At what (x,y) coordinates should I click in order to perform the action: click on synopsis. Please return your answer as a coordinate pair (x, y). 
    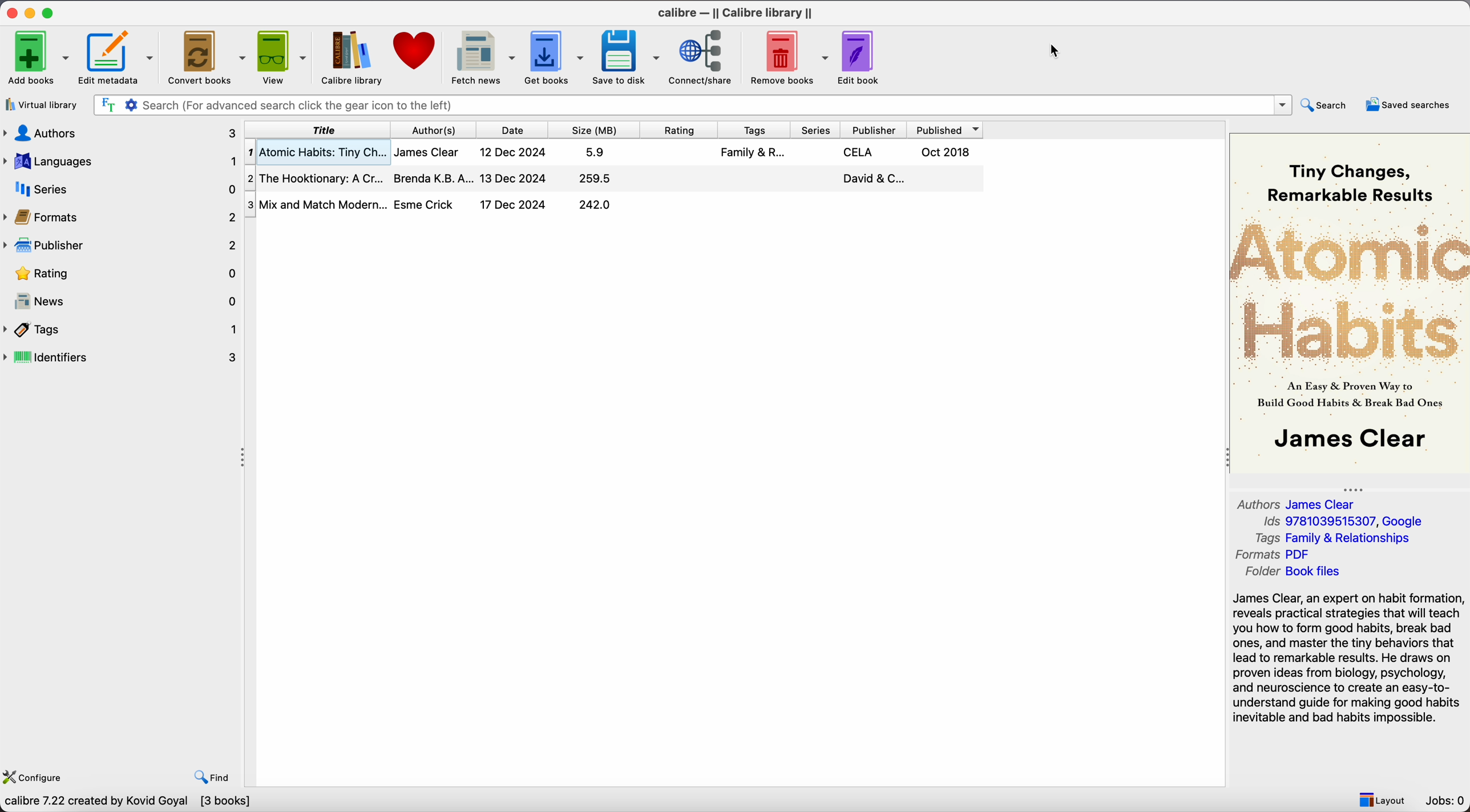
    Looking at the image, I should click on (1350, 659).